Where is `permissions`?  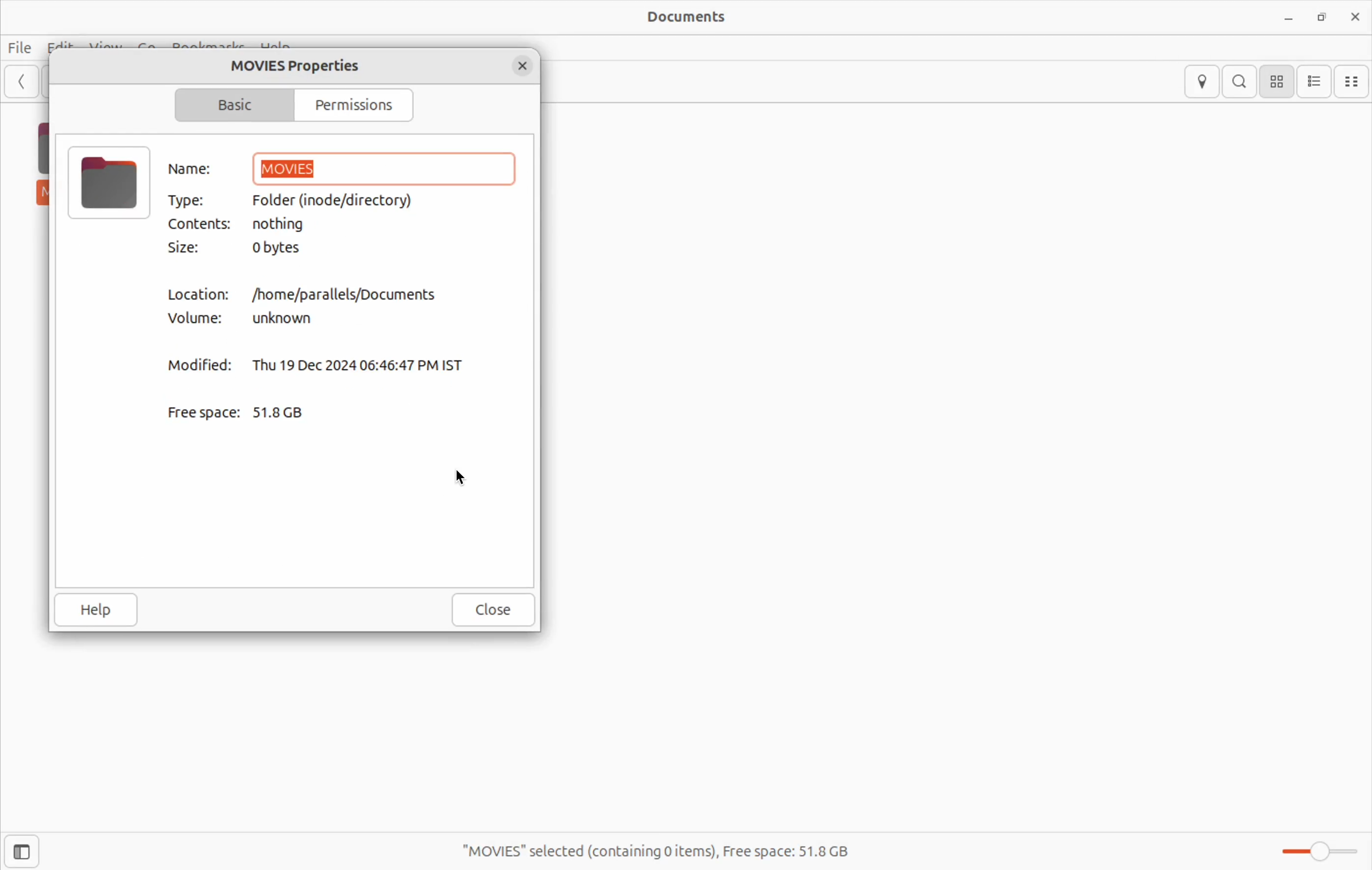
permissions is located at coordinates (361, 103).